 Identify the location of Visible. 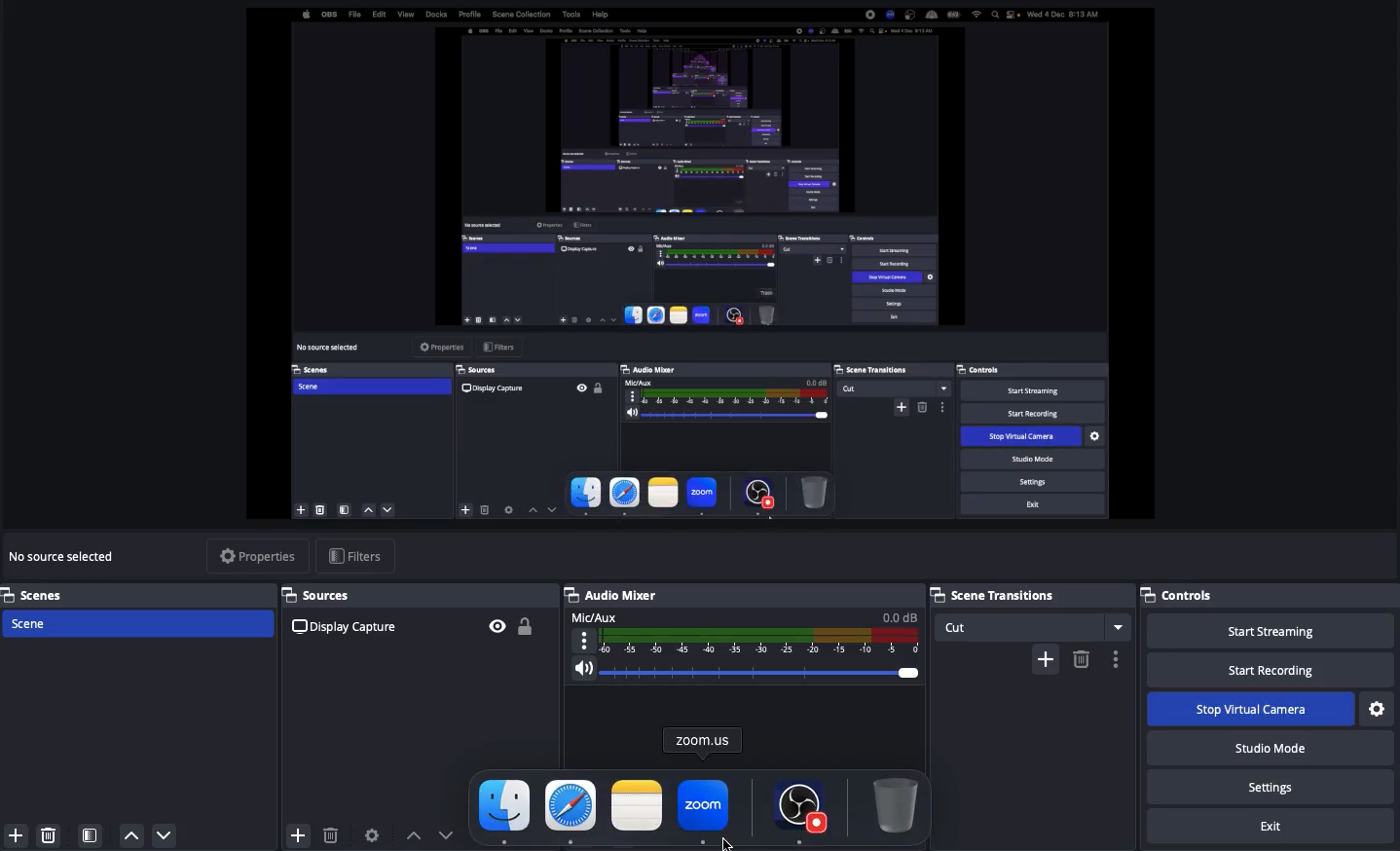
(497, 624).